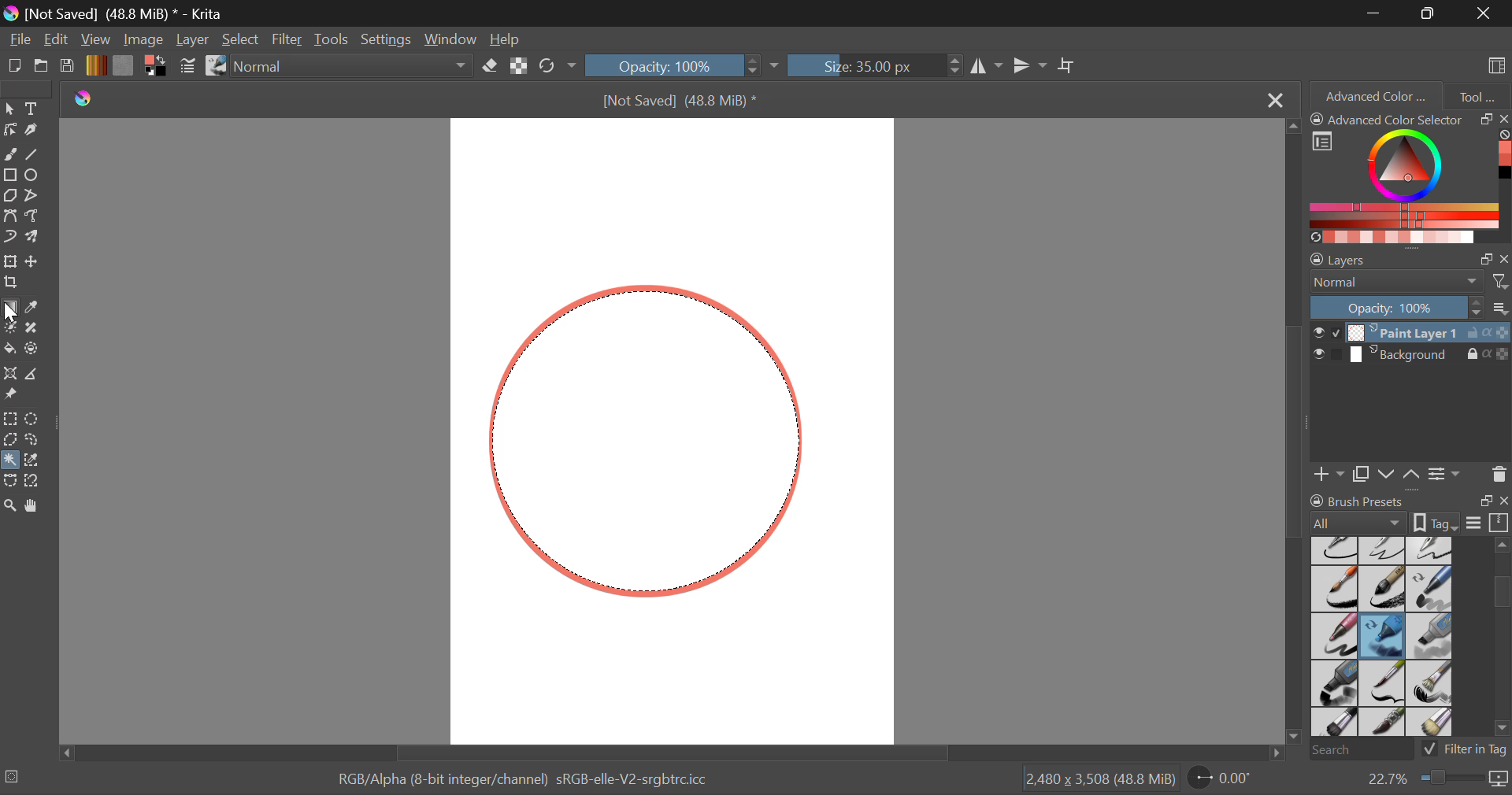  Describe the element at coordinates (1069, 66) in the screenshot. I see `Crop` at that location.